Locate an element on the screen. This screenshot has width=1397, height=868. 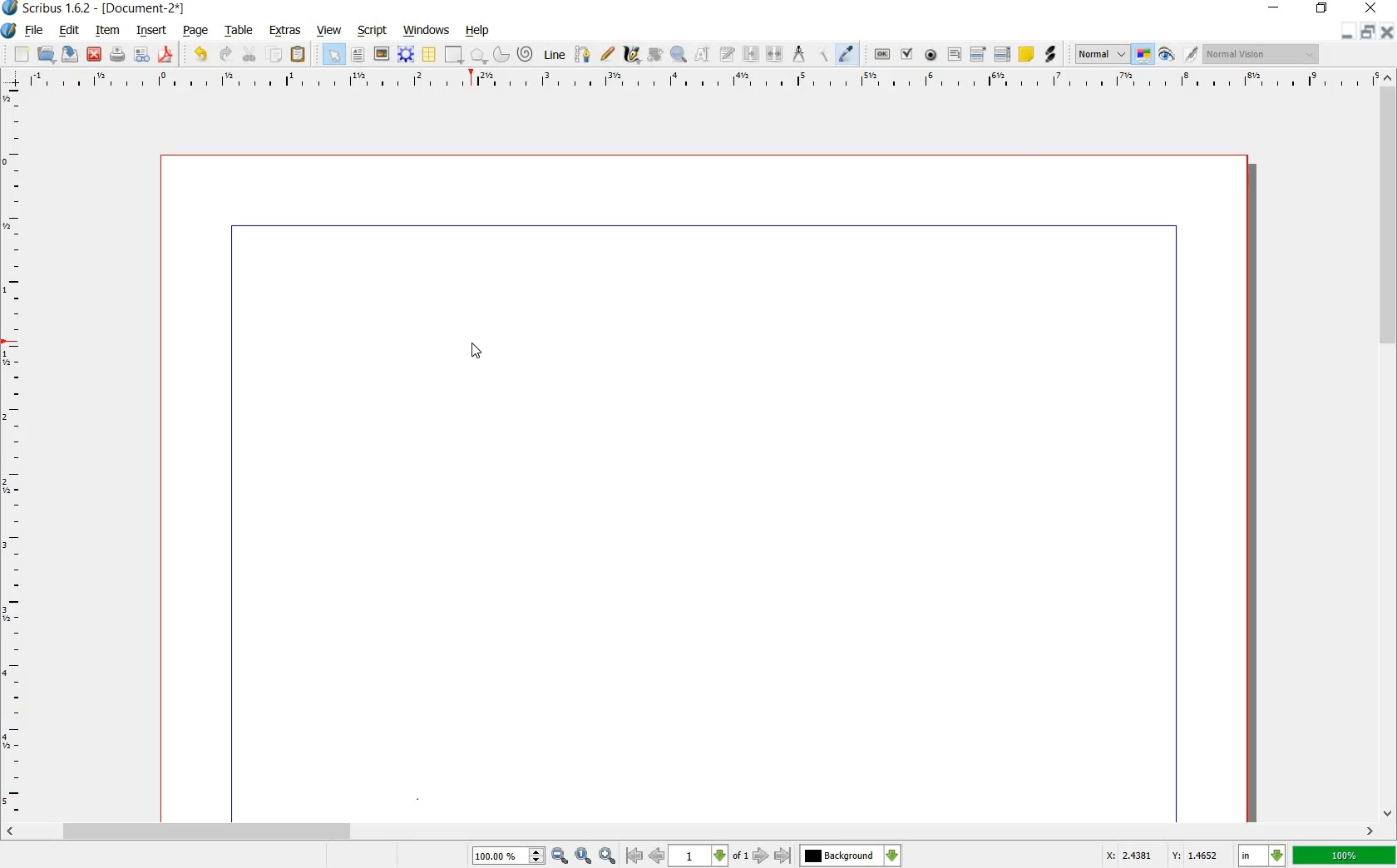
RESTORE is located at coordinates (1320, 11).